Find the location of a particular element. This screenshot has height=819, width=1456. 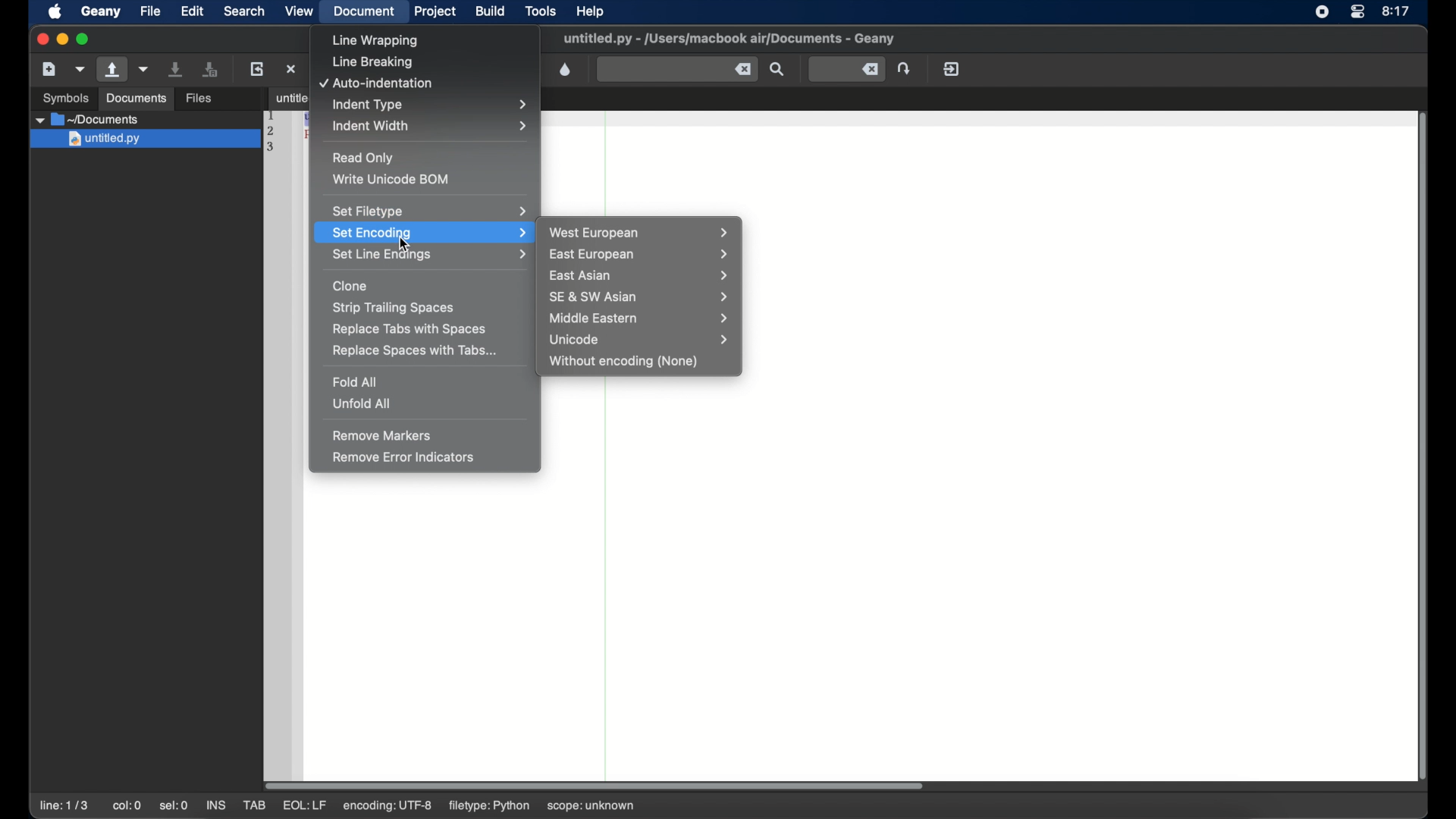

view is located at coordinates (299, 11).